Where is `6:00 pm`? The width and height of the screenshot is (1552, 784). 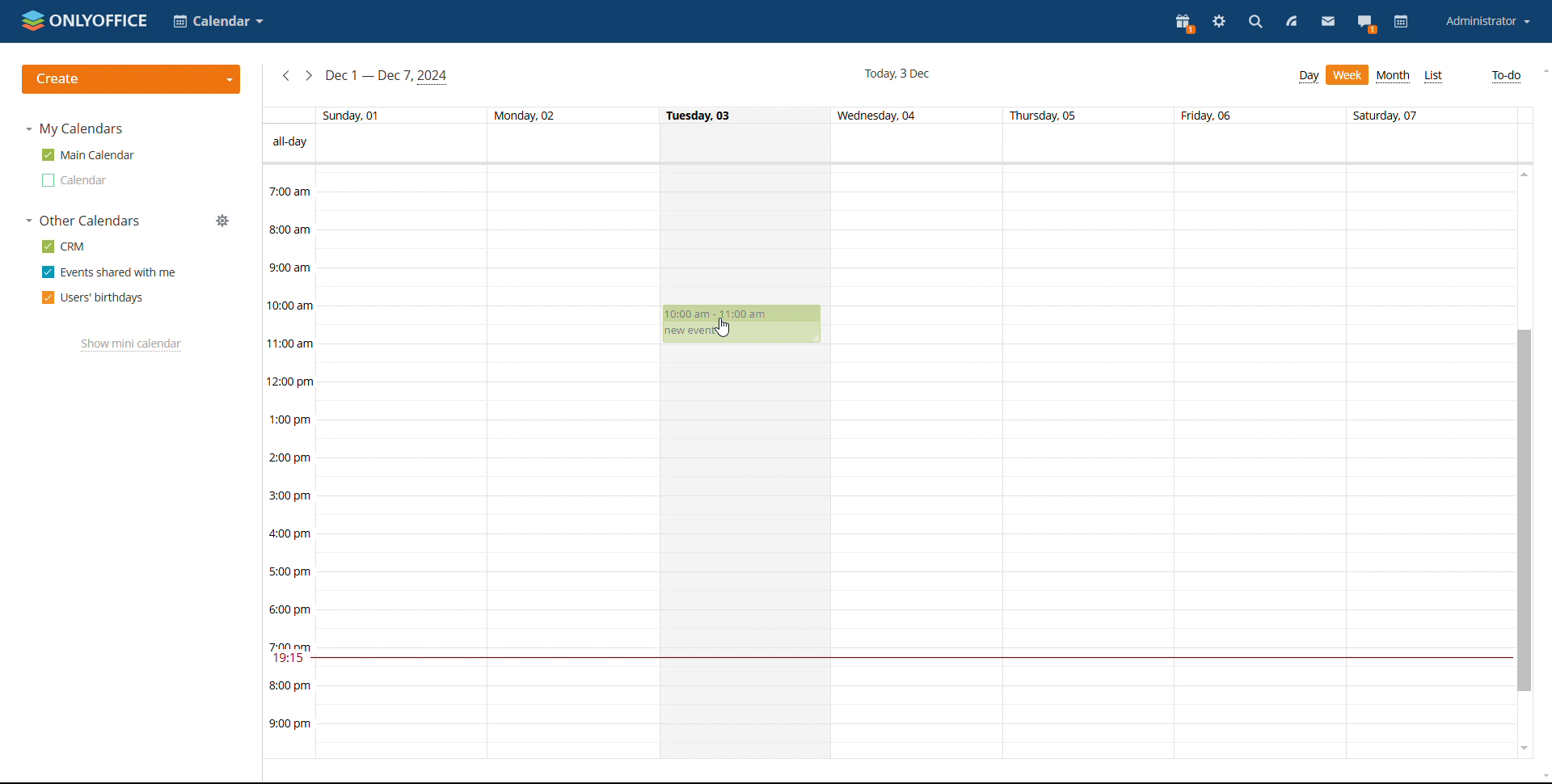
6:00 pm is located at coordinates (293, 609).